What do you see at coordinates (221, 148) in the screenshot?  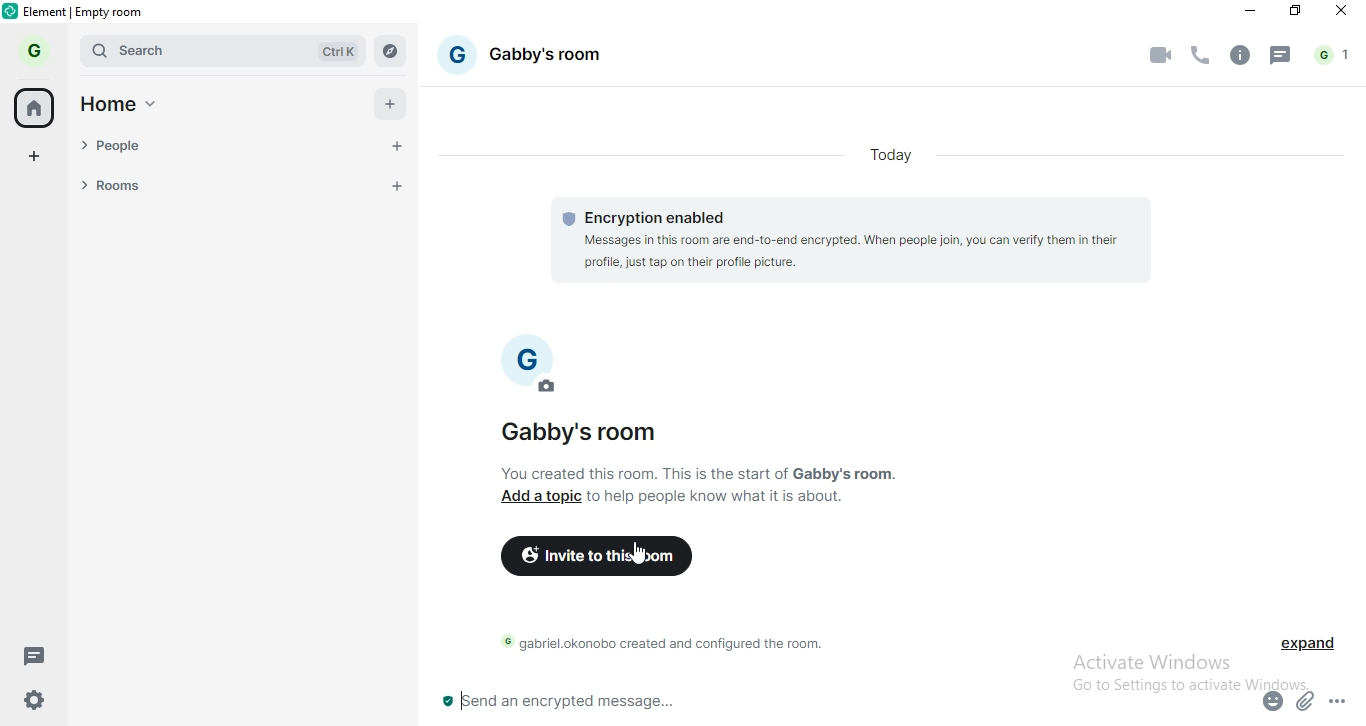 I see `people` at bounding box center [221, 148].